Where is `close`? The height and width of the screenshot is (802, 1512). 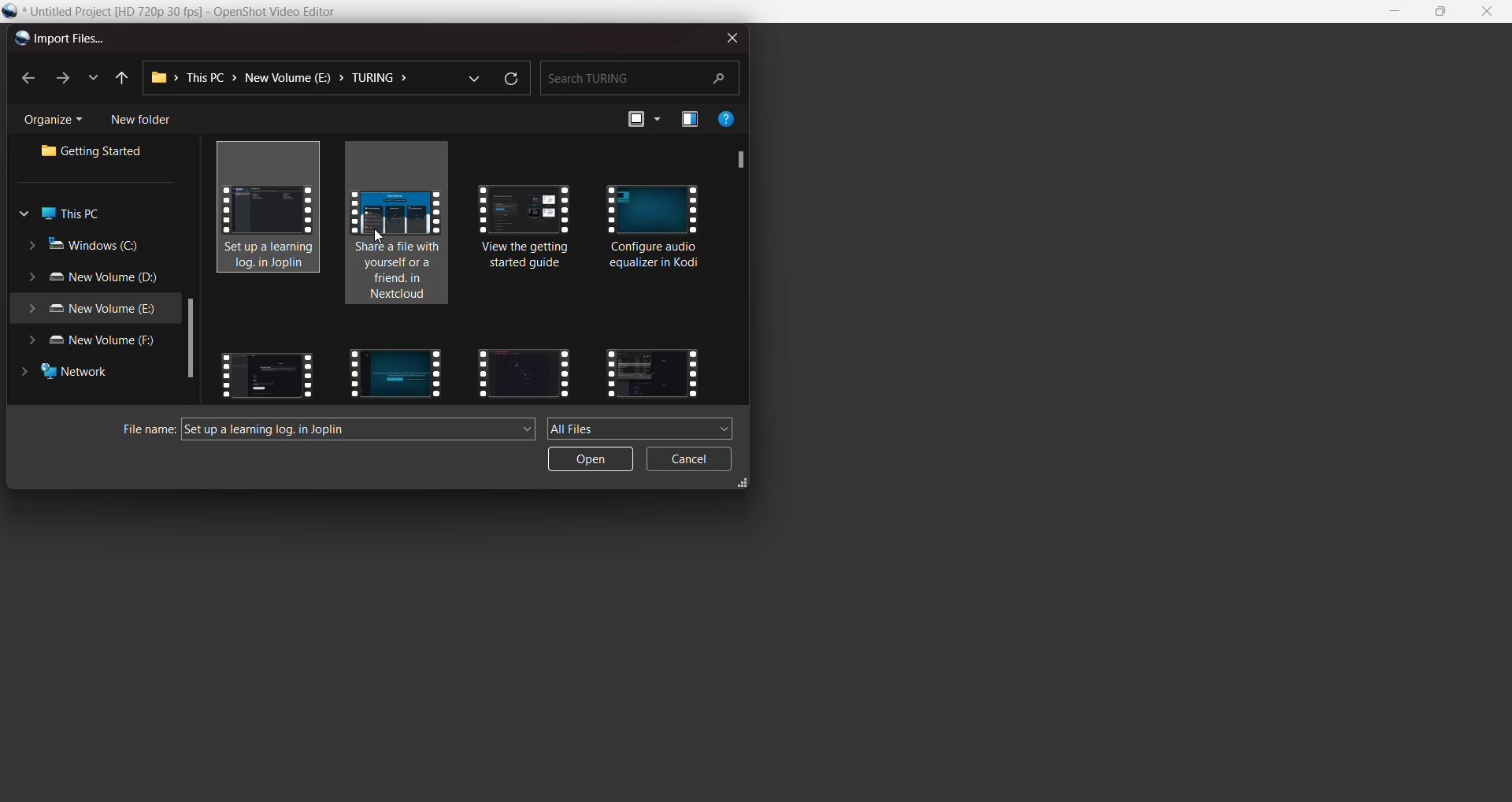 close is located at coordinates (1486, 12).